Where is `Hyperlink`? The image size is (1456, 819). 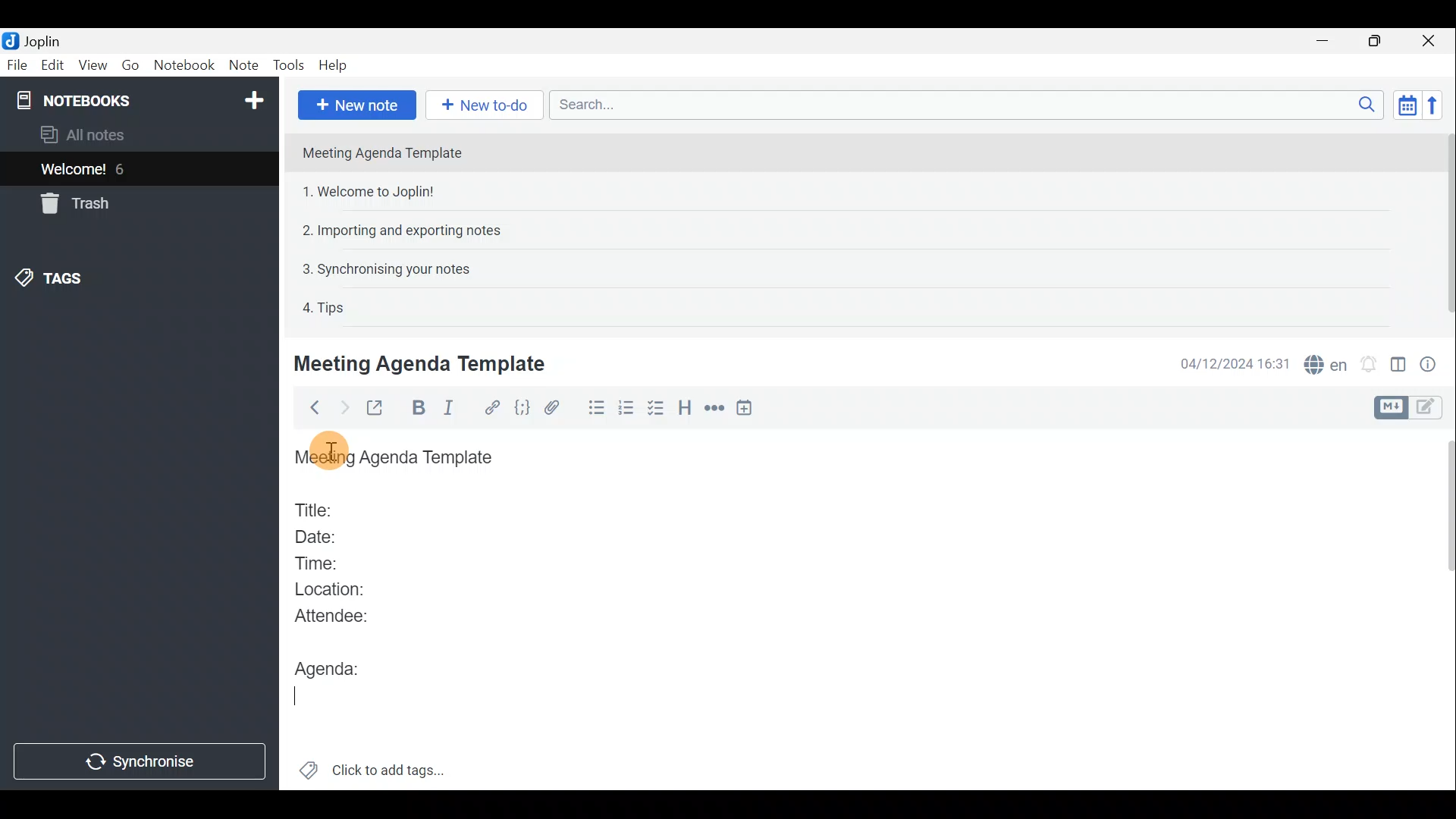 Hyperlink is located at coordinates (494, 407).